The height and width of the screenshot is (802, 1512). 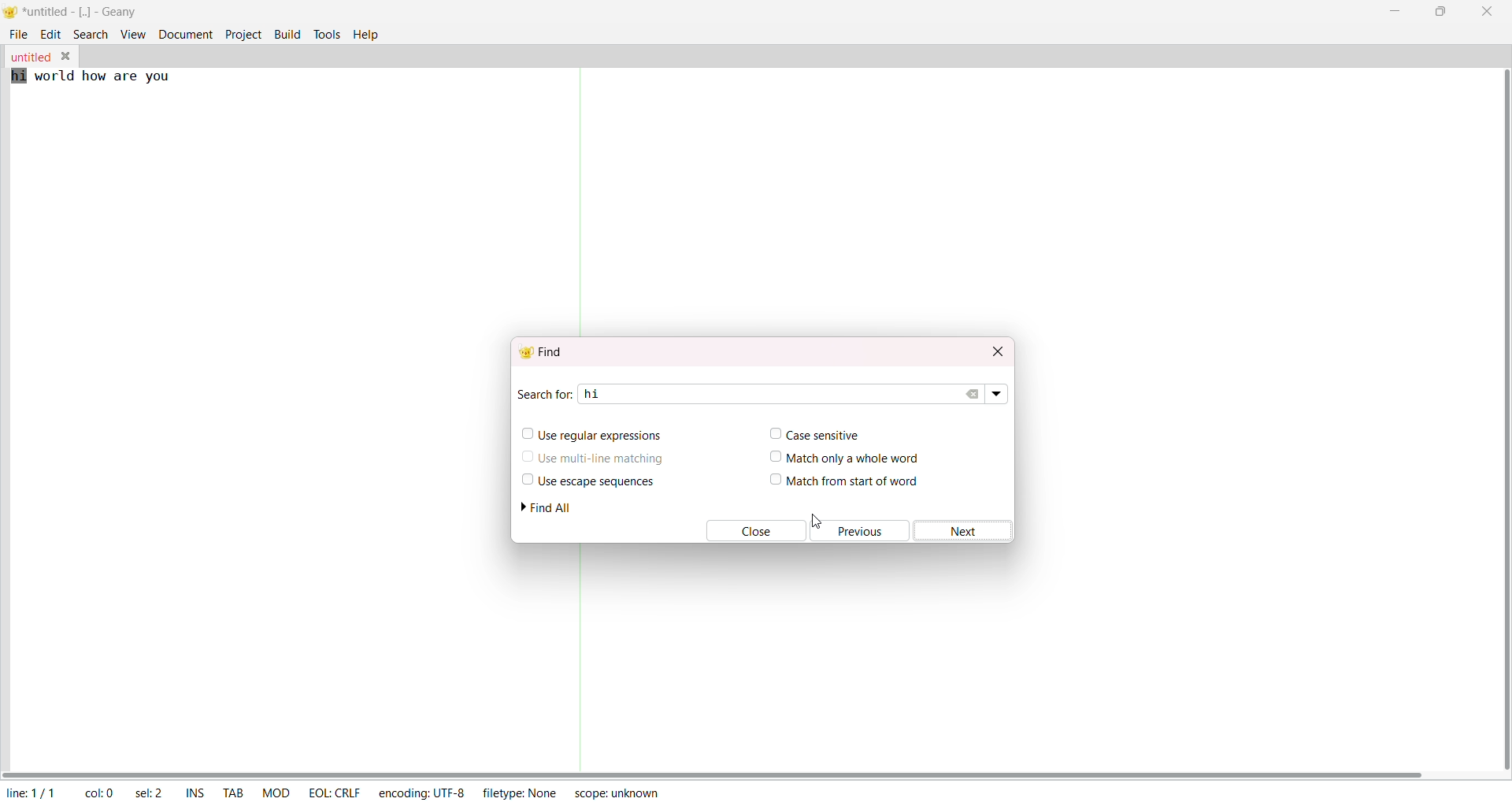 What do you see at coordinates (1498, 422) in the screenshot?
I see `vertical scroll bar` at bounding box center [1498, 422].